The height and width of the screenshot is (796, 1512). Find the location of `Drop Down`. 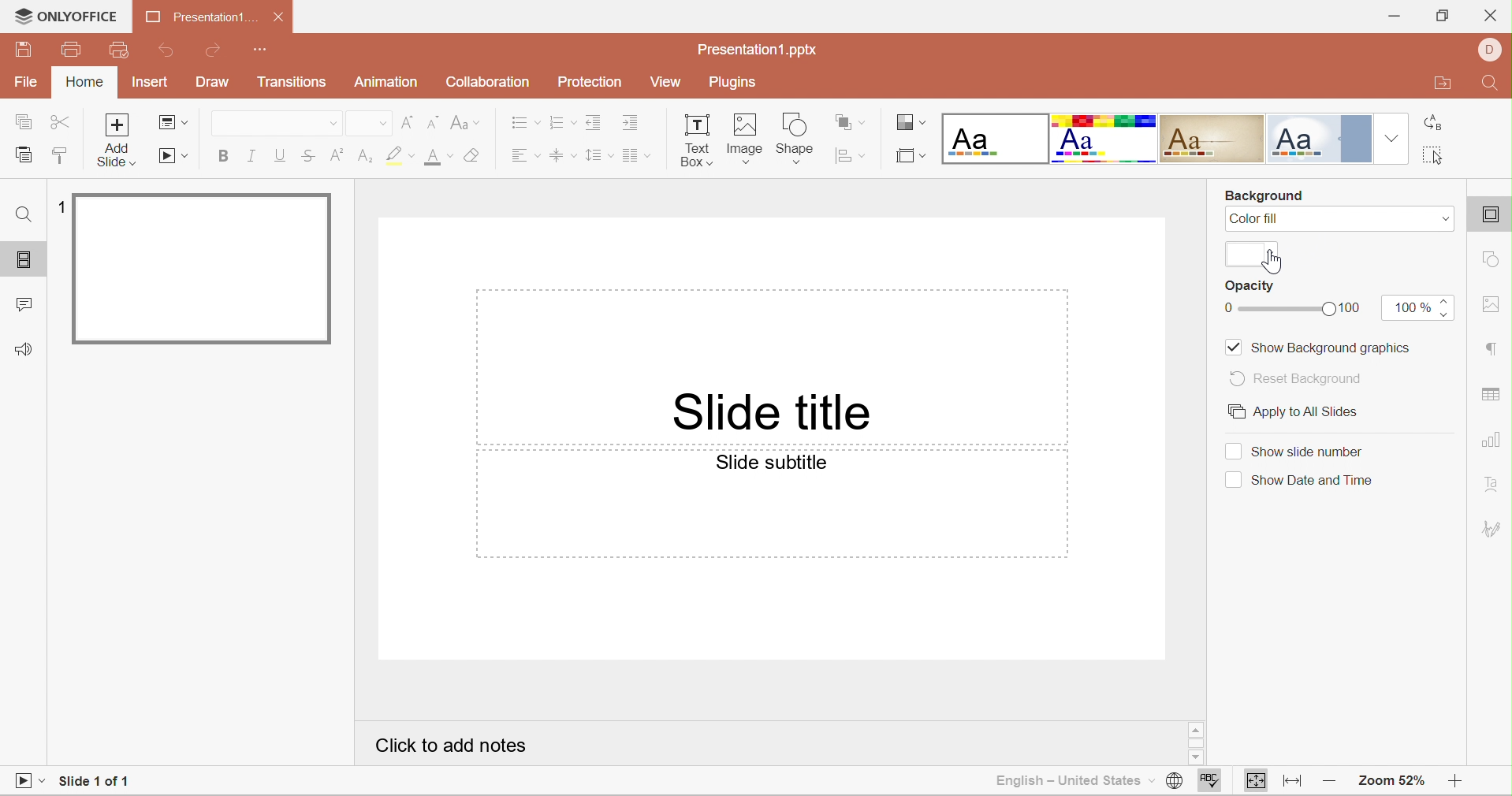

Drop Down is located at coordinates (1391, 136).